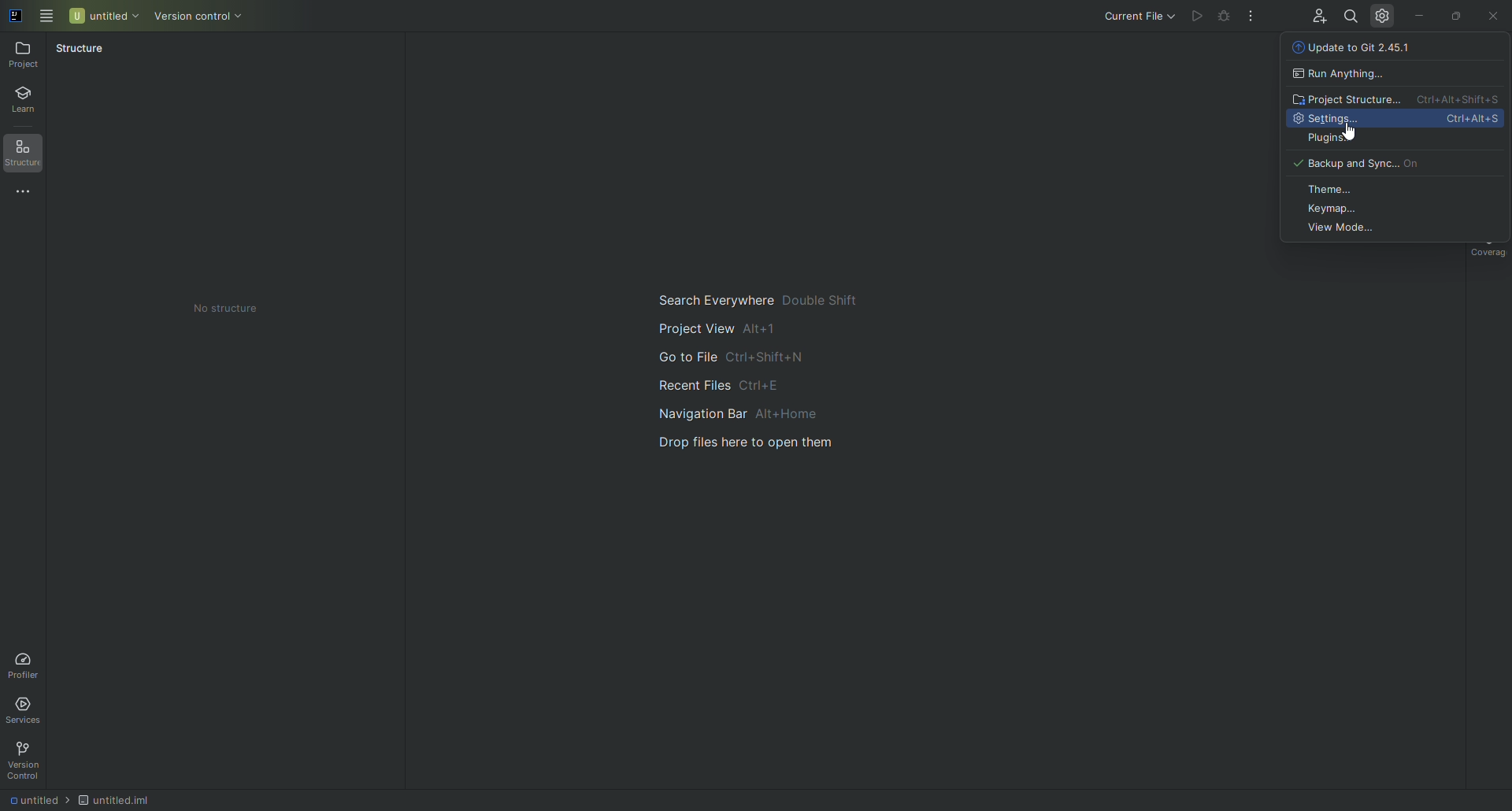 This screenshot has width=1512, height=811. I want to click on No structure, so click(234, 311).